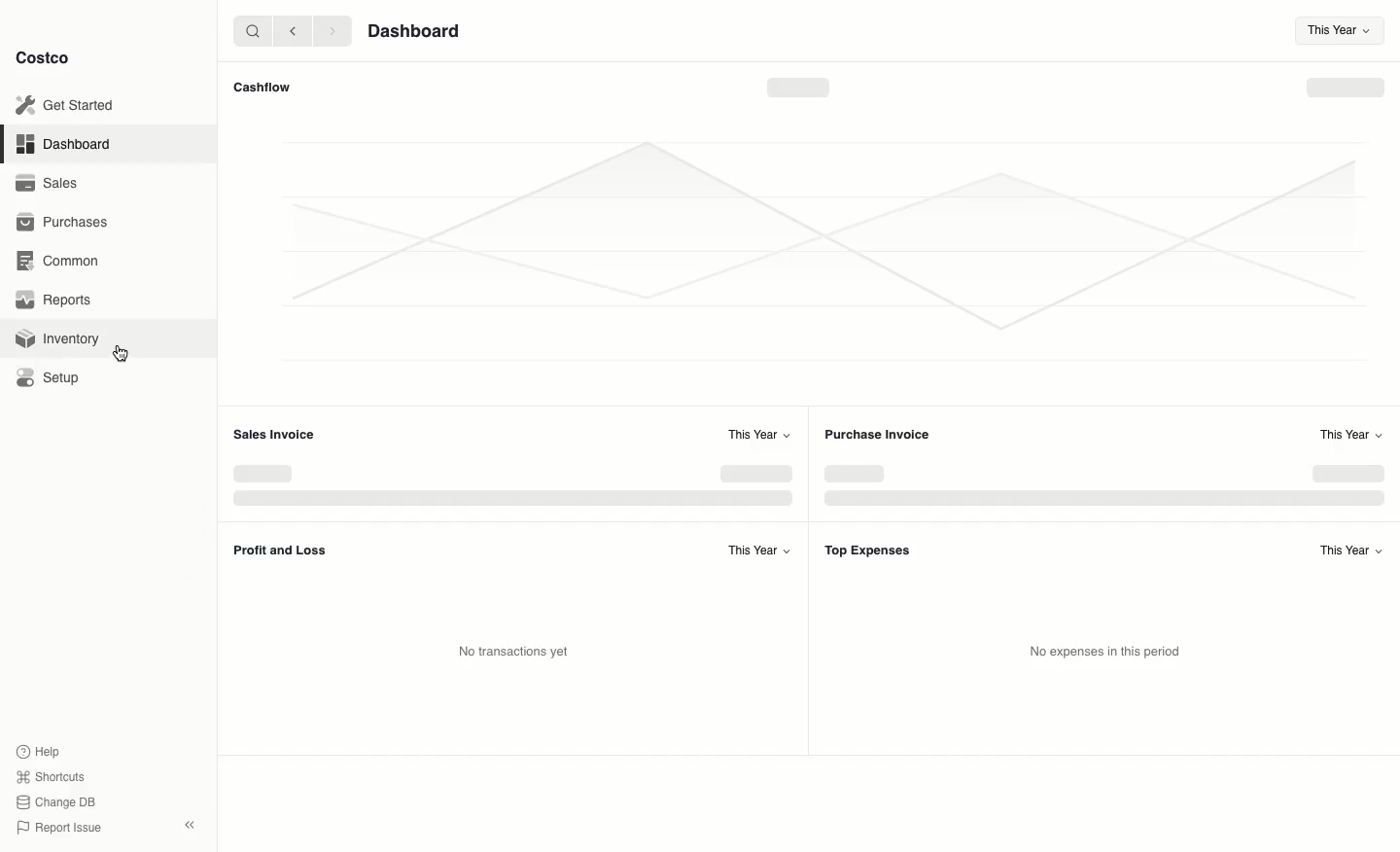 The width and height of the screenshot is (1400, 852). I want to click on This Year, so click(762, 550).